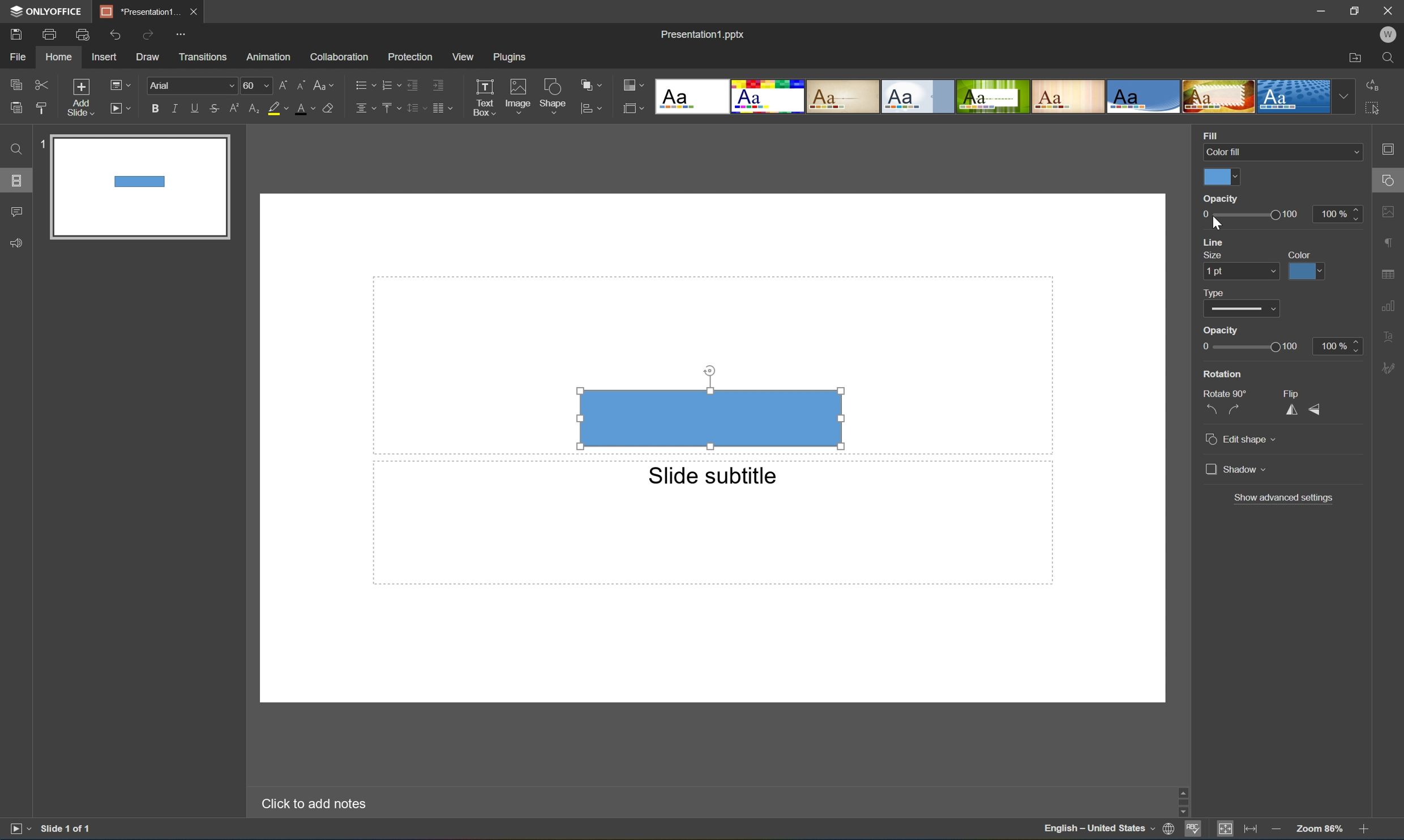  Describe the element at coordinates (362, 84) in the screenshot. I see `Bullets` at that location.